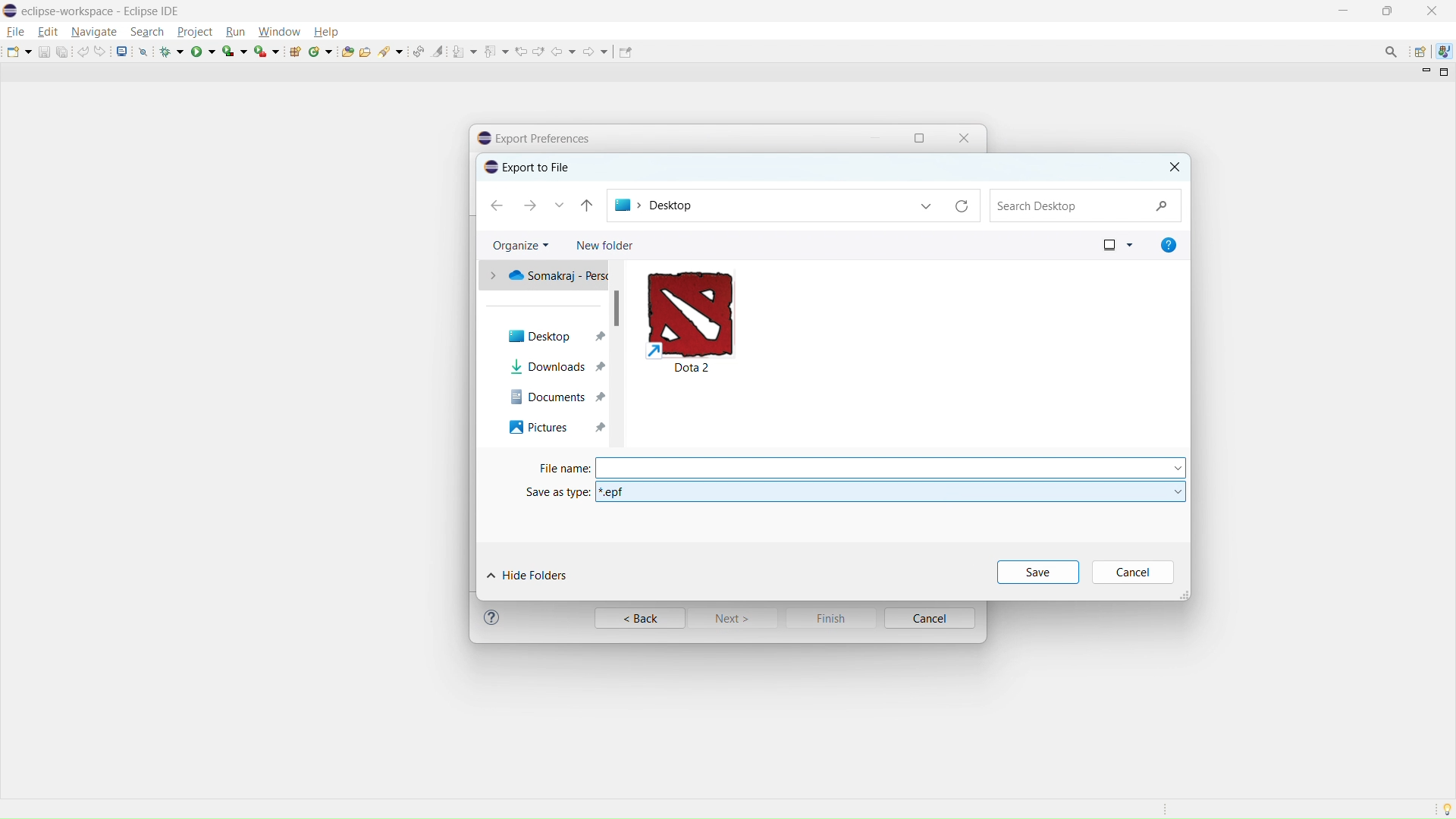 The image size is (1456, 819). I want to click on Dota 2, so click(728, 322).